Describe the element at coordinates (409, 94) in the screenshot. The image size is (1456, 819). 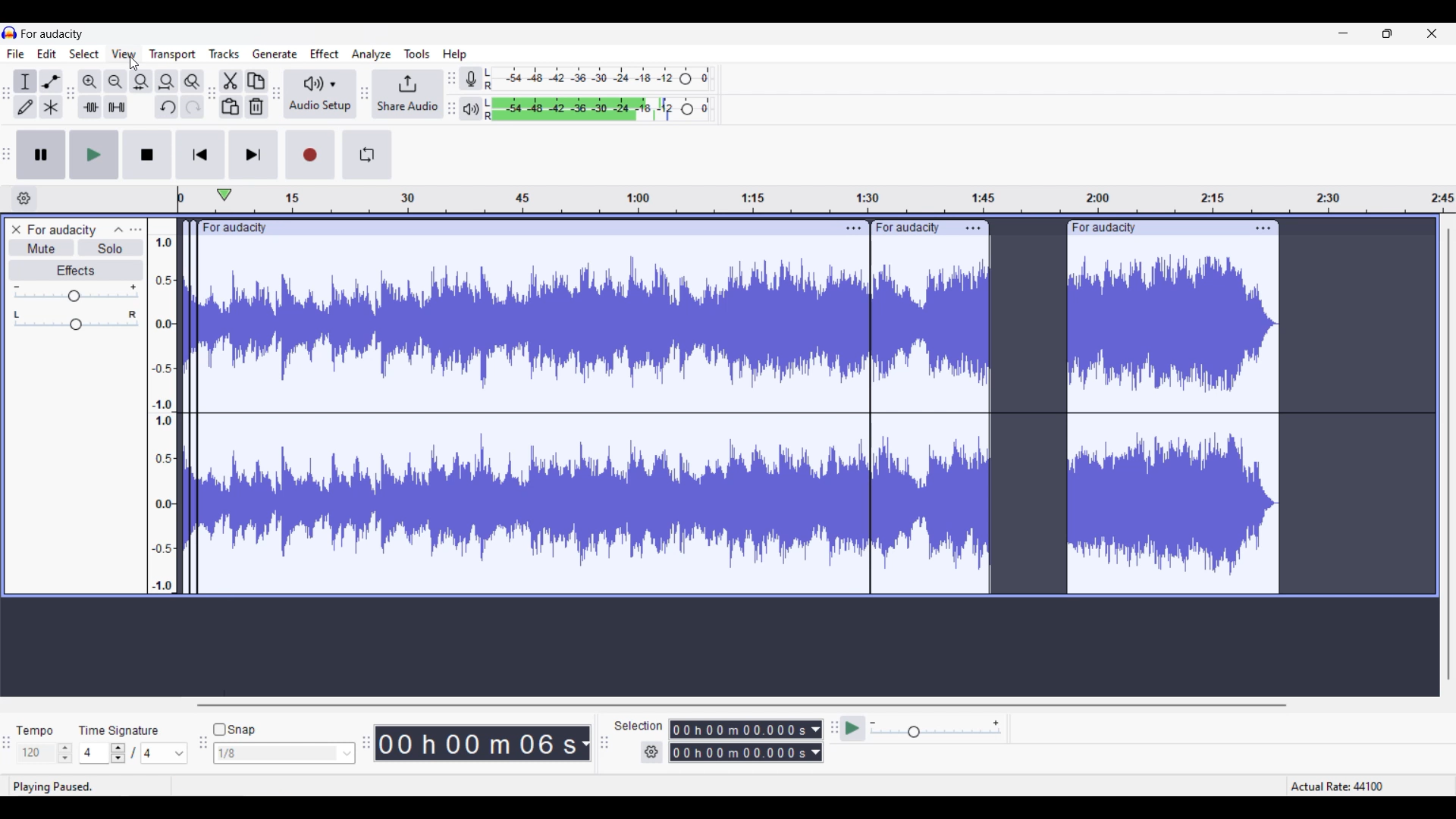
I see `Share audio` at that location.